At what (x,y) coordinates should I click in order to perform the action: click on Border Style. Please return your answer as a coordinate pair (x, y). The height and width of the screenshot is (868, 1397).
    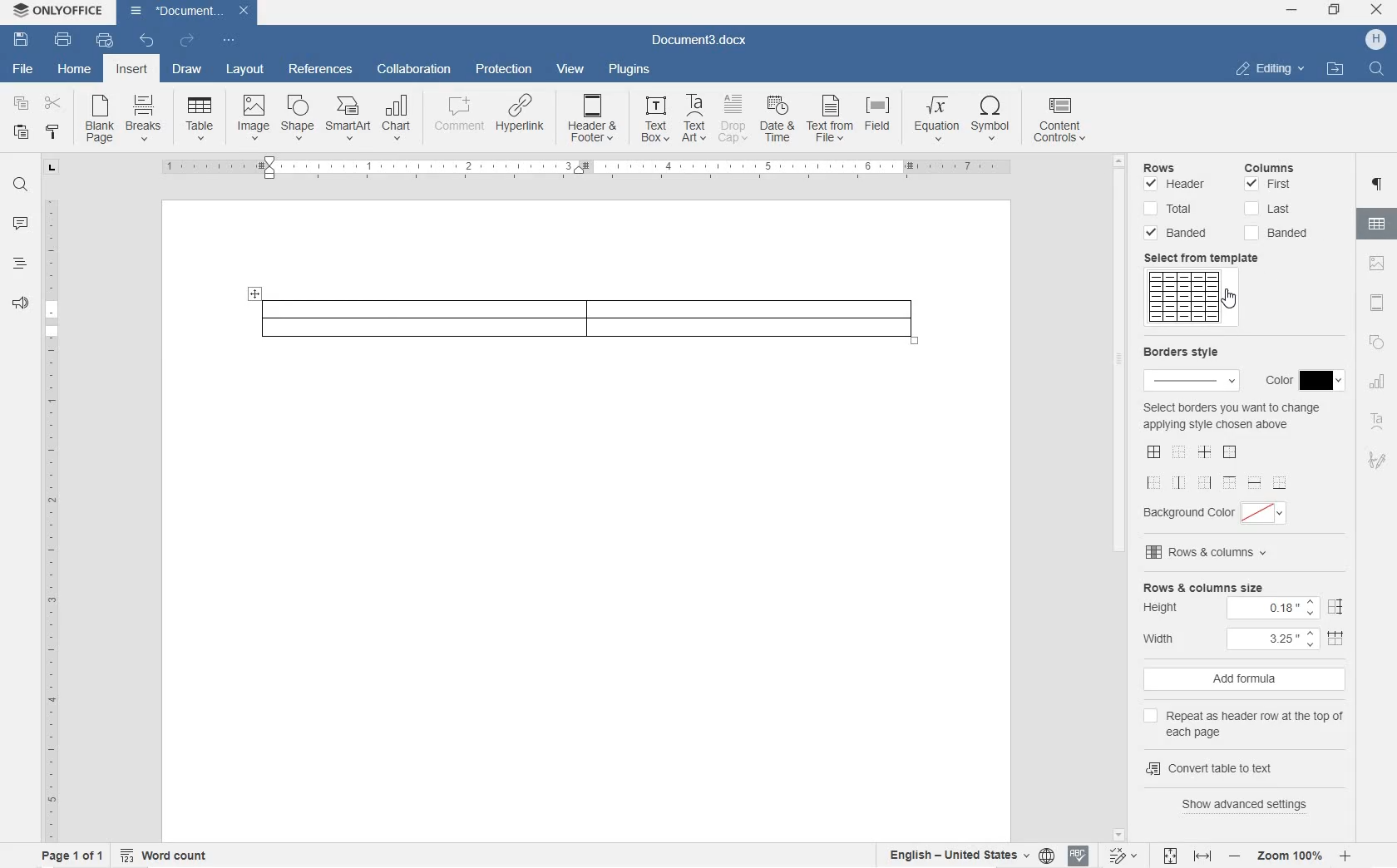
    Looking at the image, I should click on (1189, 365).